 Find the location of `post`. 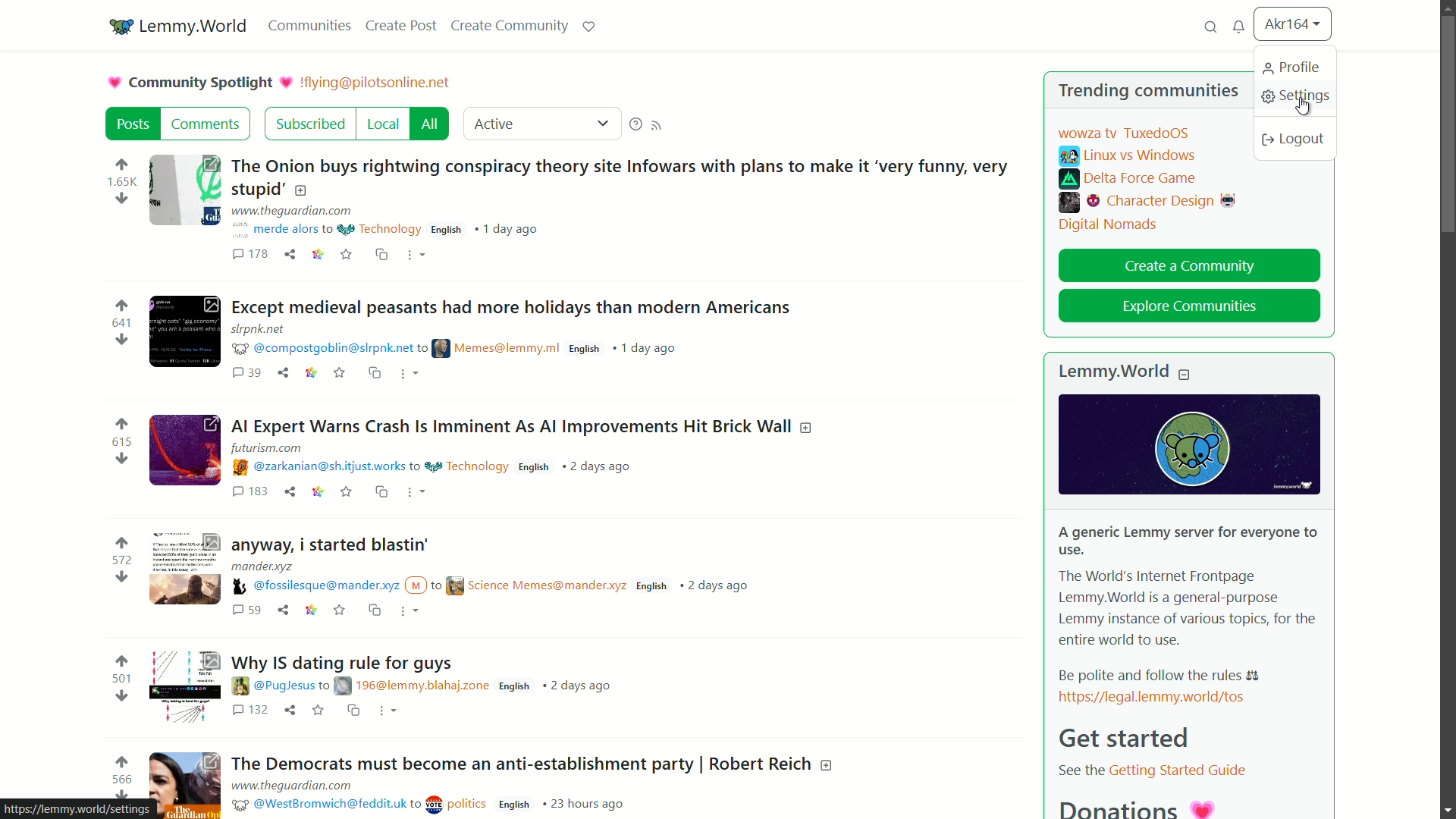

post is located at coordinates (133, 124).